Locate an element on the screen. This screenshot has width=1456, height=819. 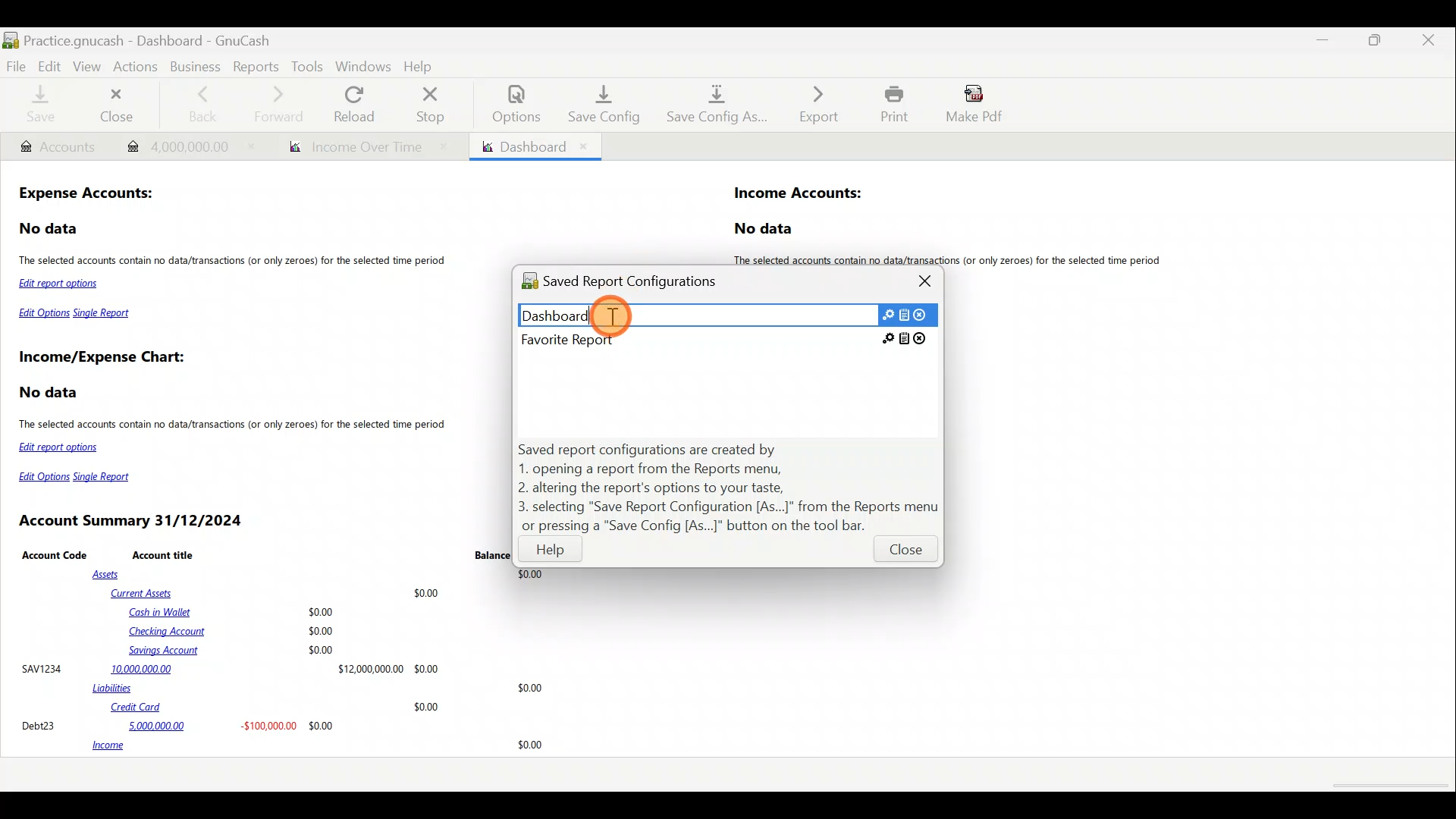
Document name is located at coordinates (169, 36).